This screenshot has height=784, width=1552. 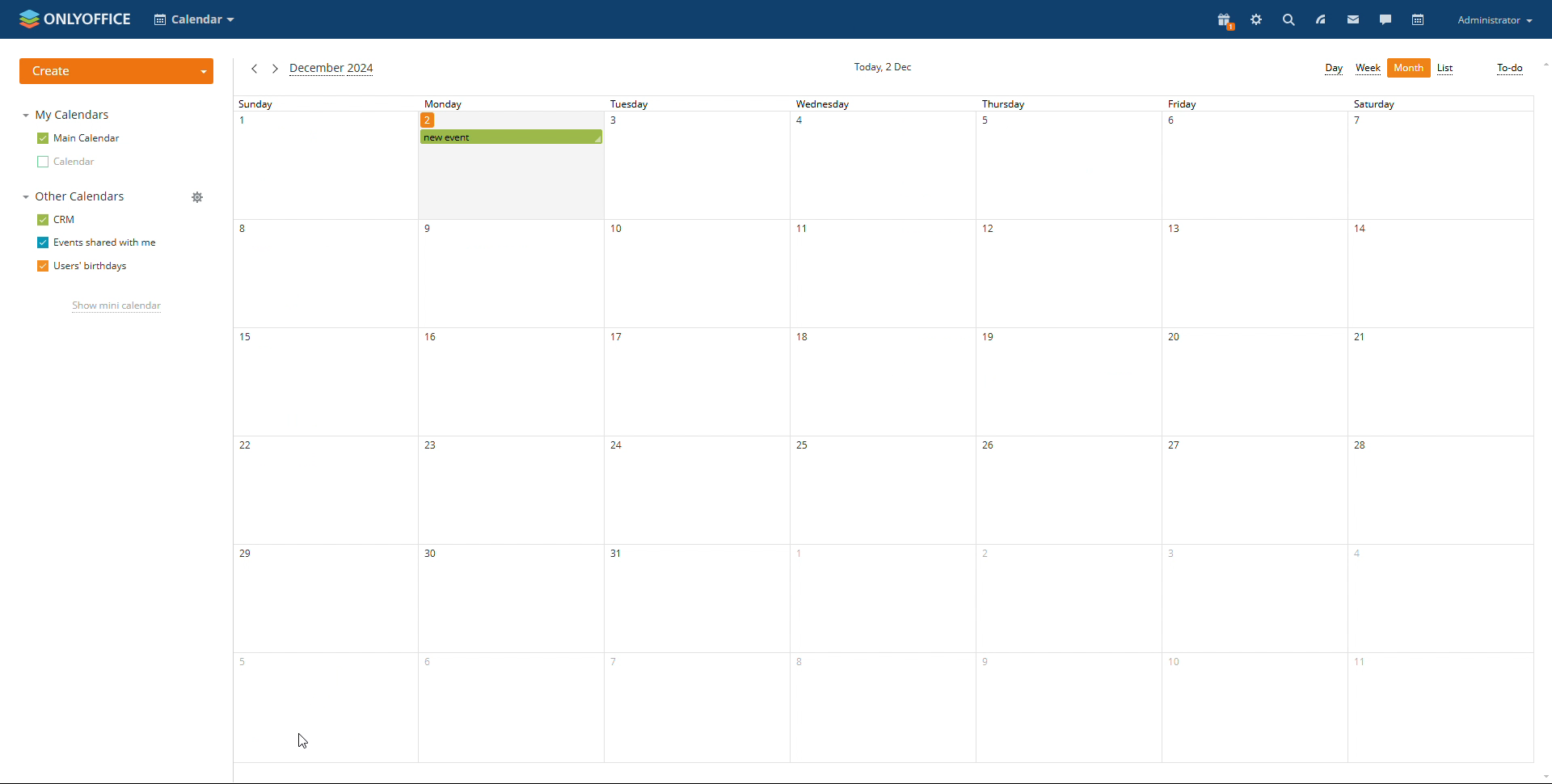 What do you see at coordinates (116, 72) in the screenshot?
I see `create` at bounding box center [116, 72].